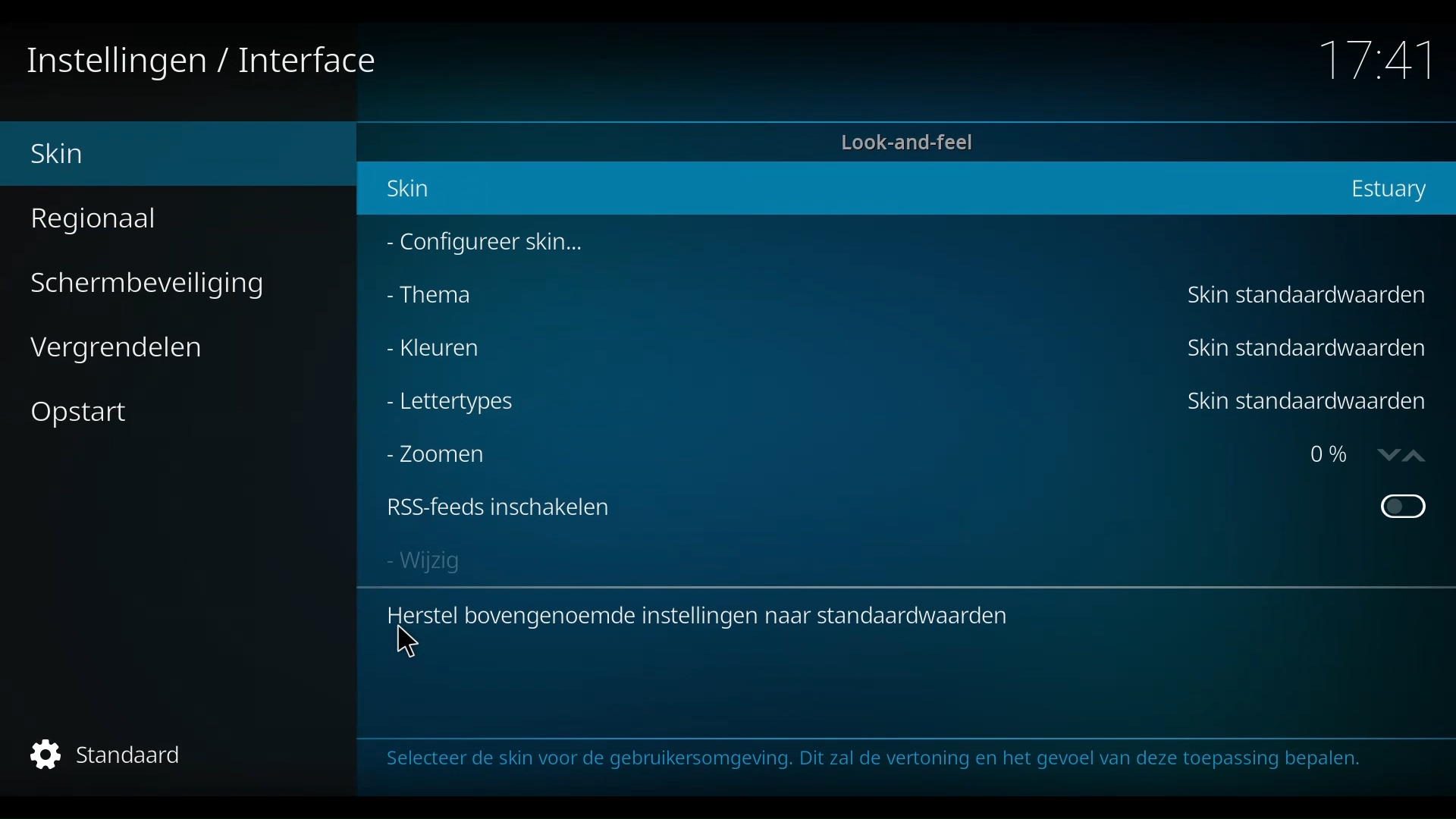  Describe the element at coordinates (449, 402) in the screenshot. I see `lettertypes` at that location.